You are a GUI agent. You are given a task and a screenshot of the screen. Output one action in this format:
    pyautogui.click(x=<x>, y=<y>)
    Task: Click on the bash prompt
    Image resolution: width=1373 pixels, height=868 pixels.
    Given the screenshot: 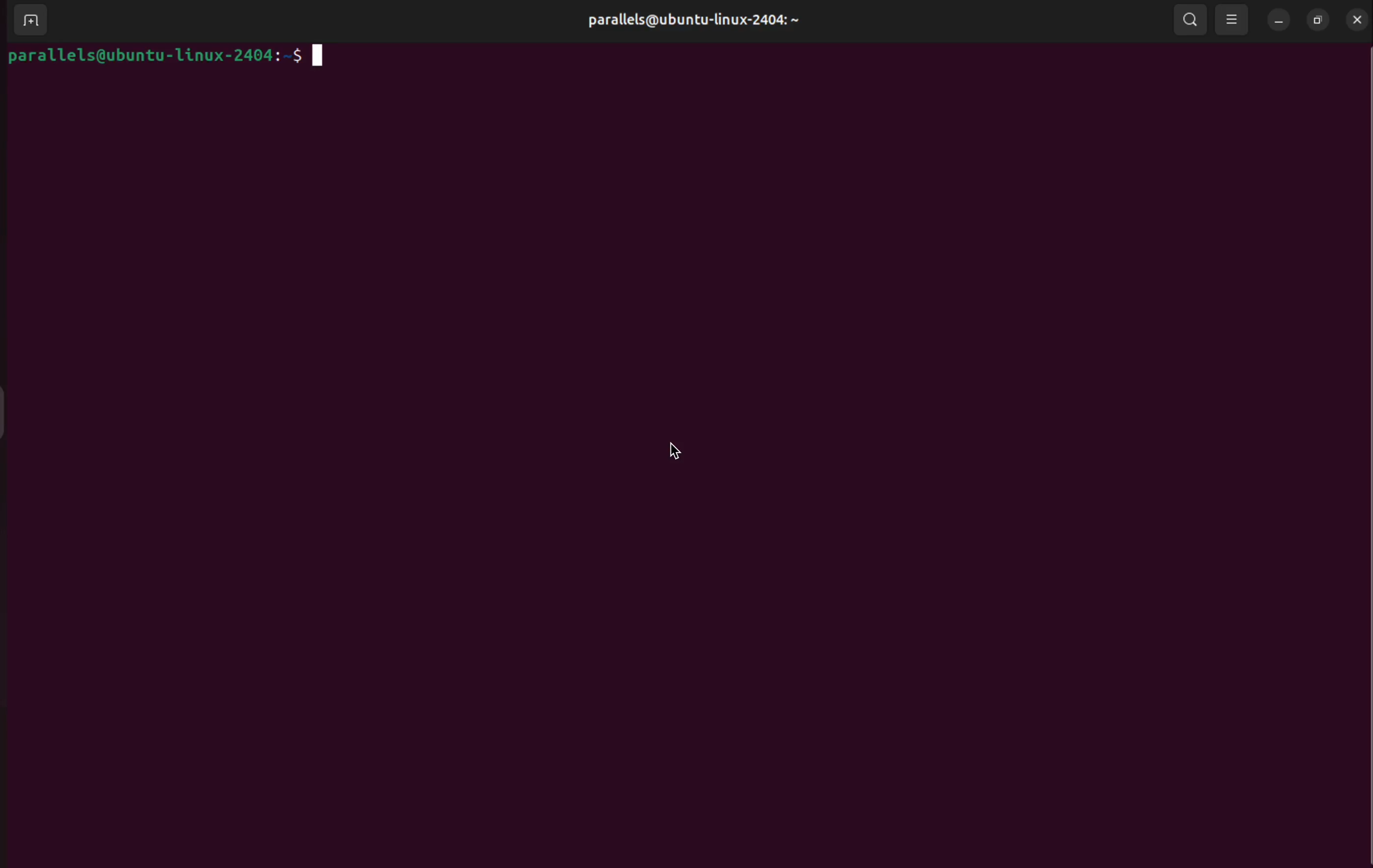 What is the action you would take?
    pyautogui.click(x=177, y=59)
    